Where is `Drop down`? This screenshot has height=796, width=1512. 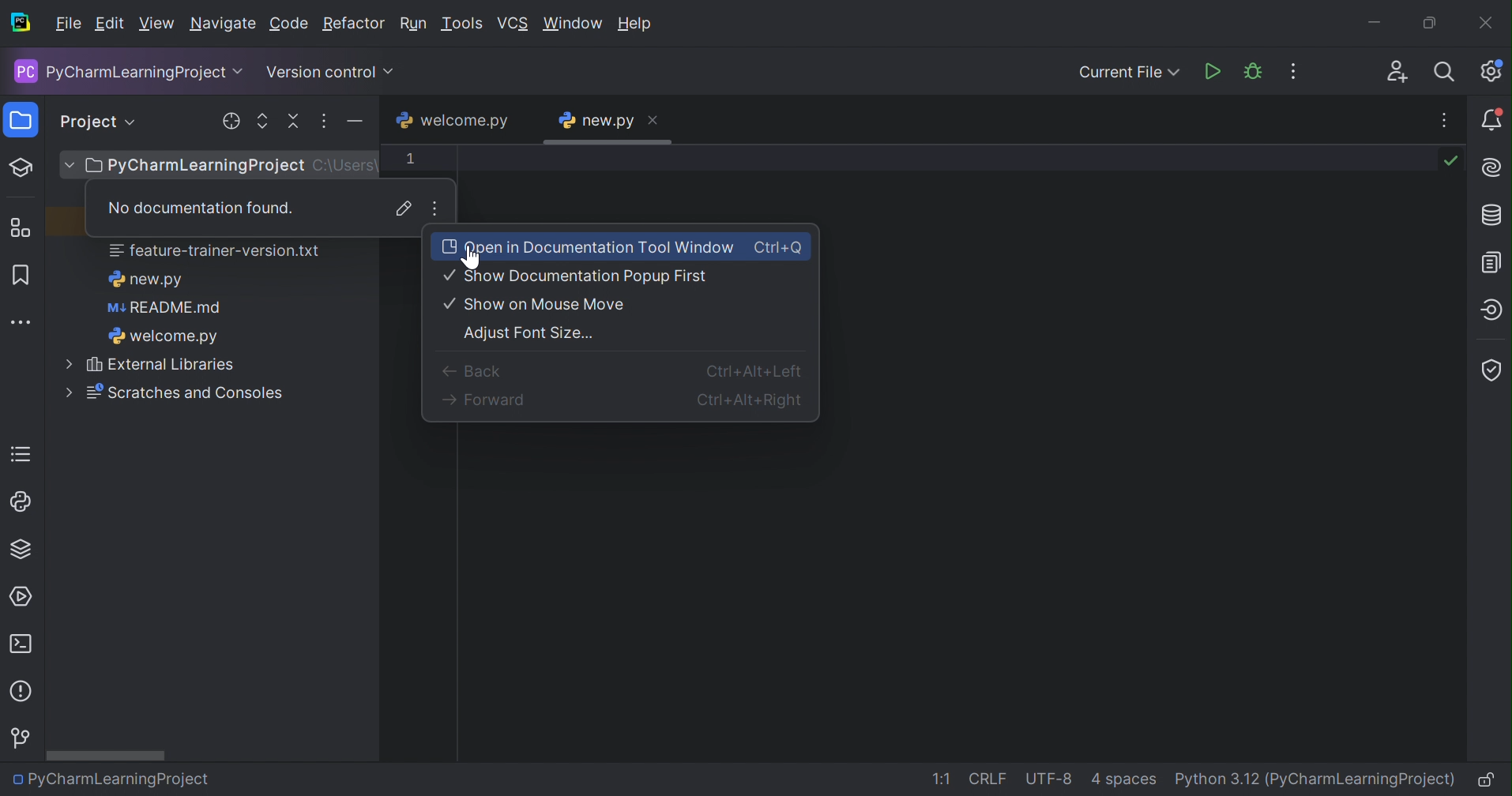
Drop down is located at coordinates (241, 72).